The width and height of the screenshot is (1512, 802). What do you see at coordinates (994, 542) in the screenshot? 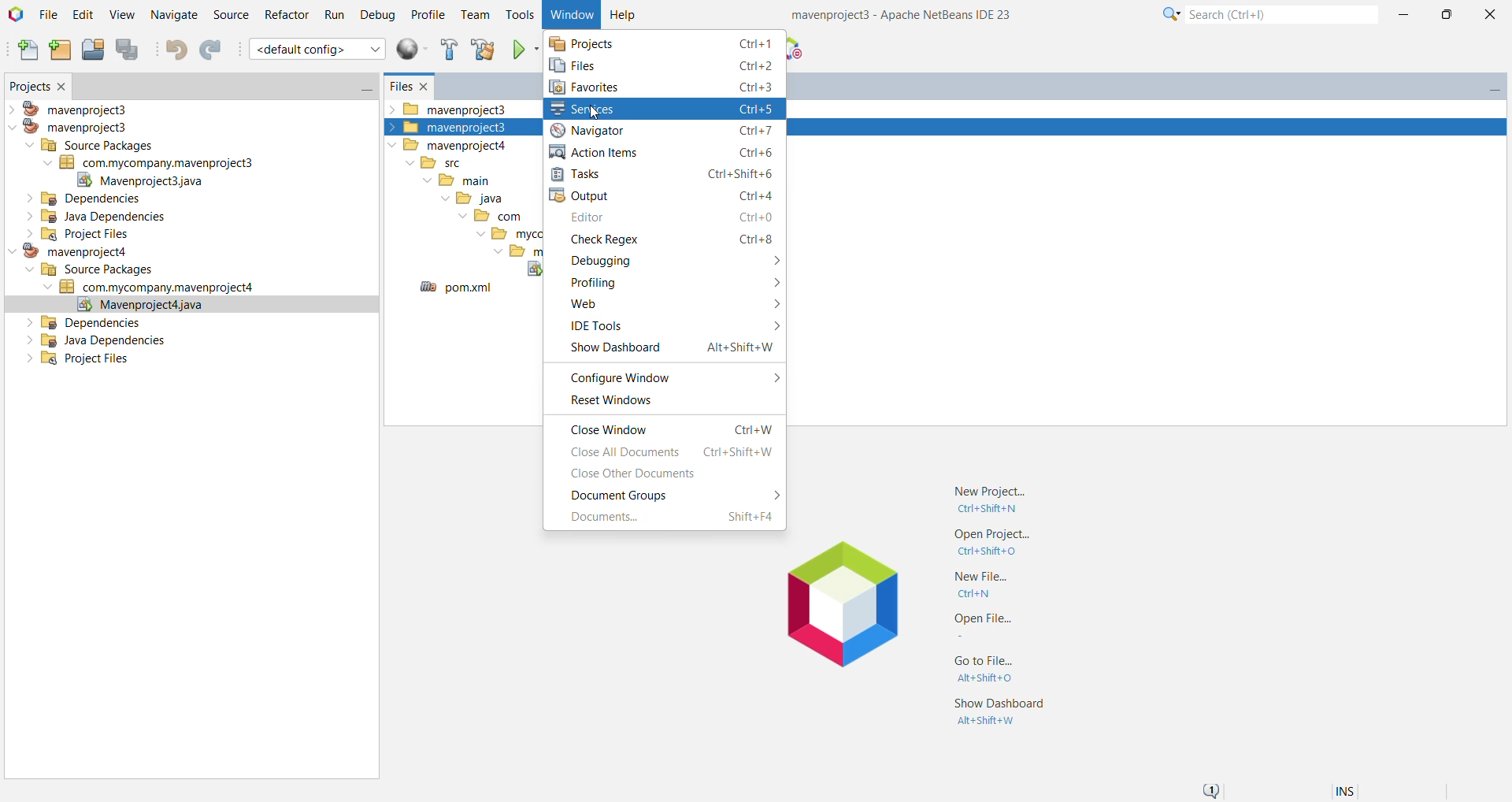
I see `Open Project` at bounding box center [994, 542].